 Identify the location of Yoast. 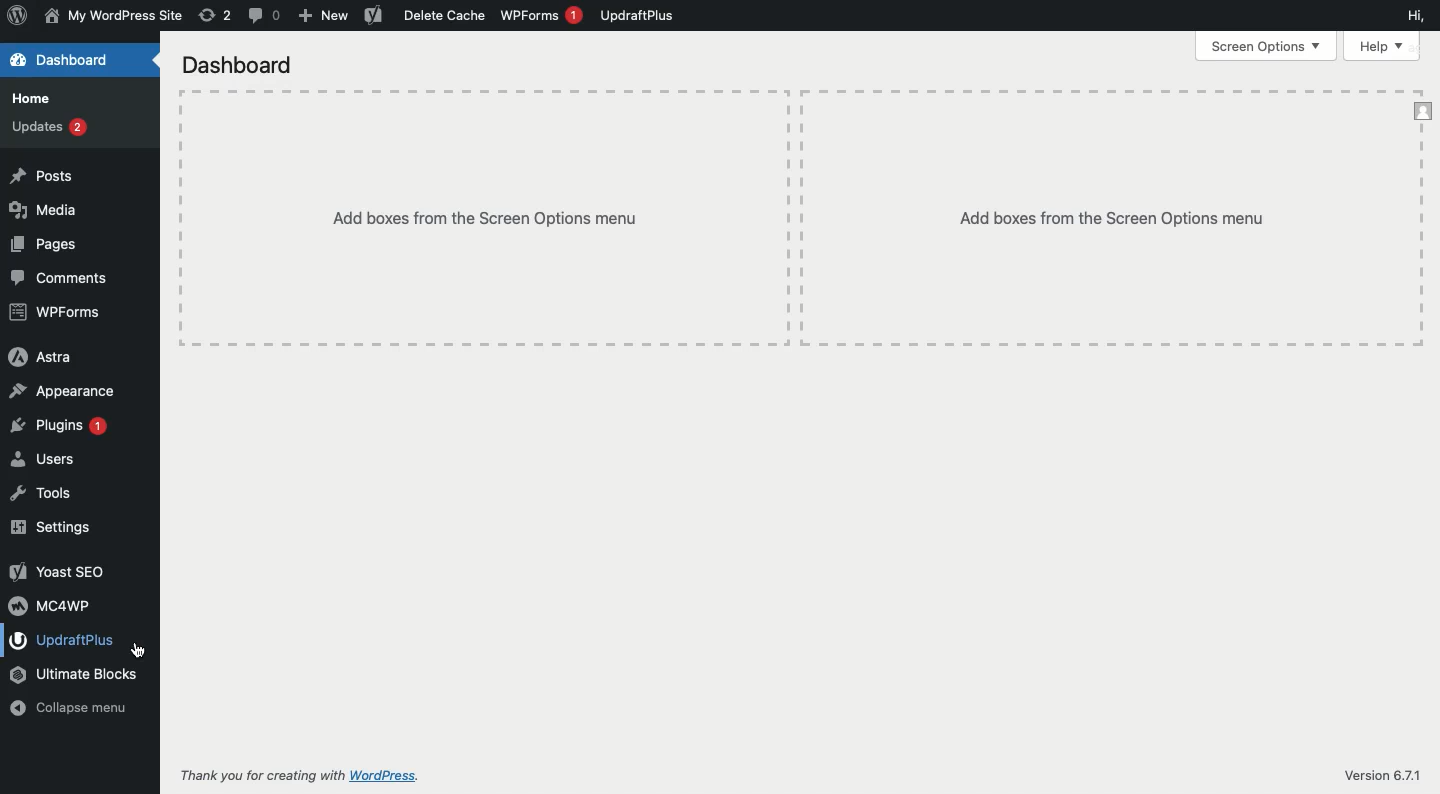
(372, 17).